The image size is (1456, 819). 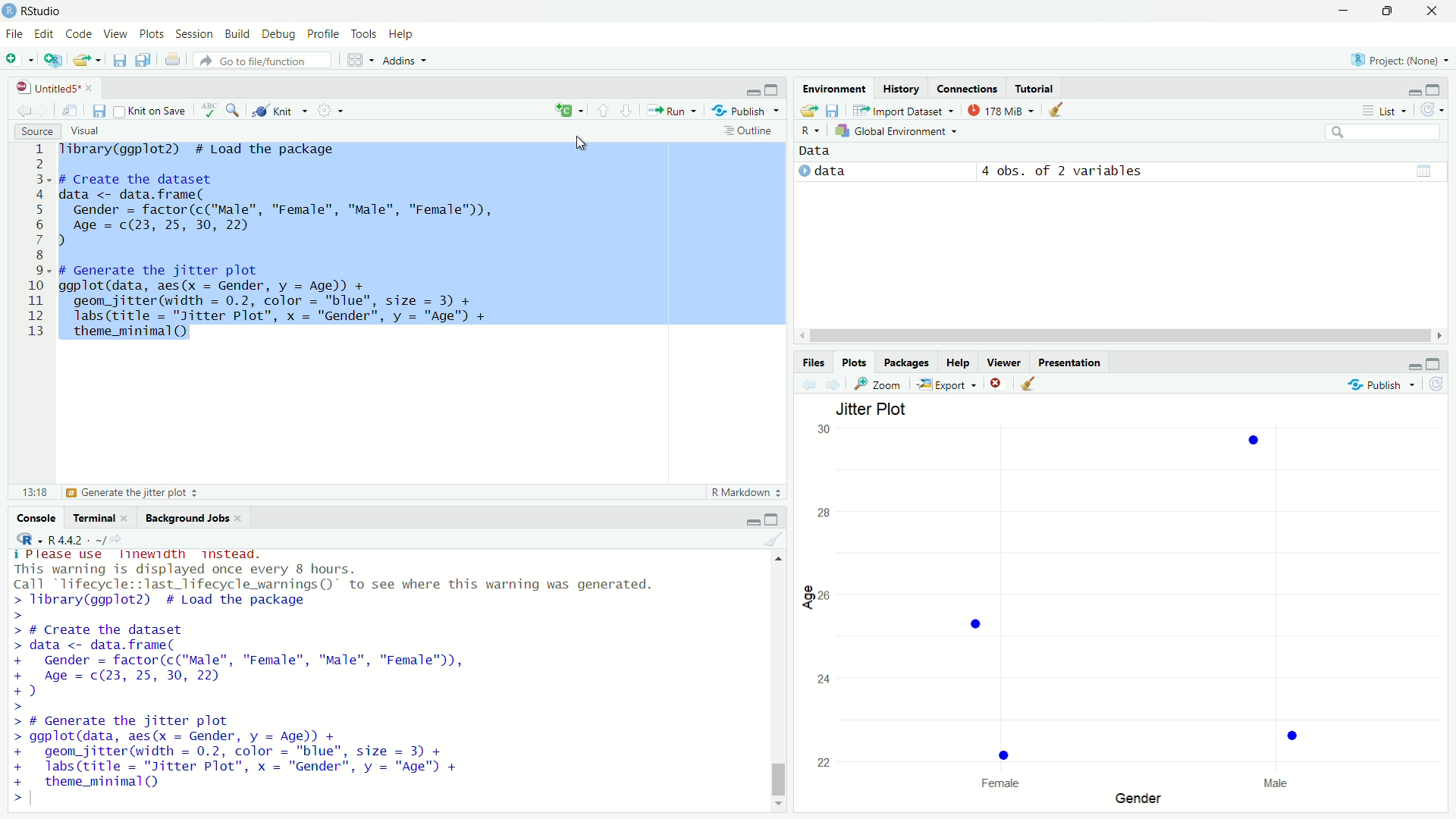 What do you see at coordinates (1142, 801) in the screenshot?
I see `gender` at bounding box center [1142, 801].